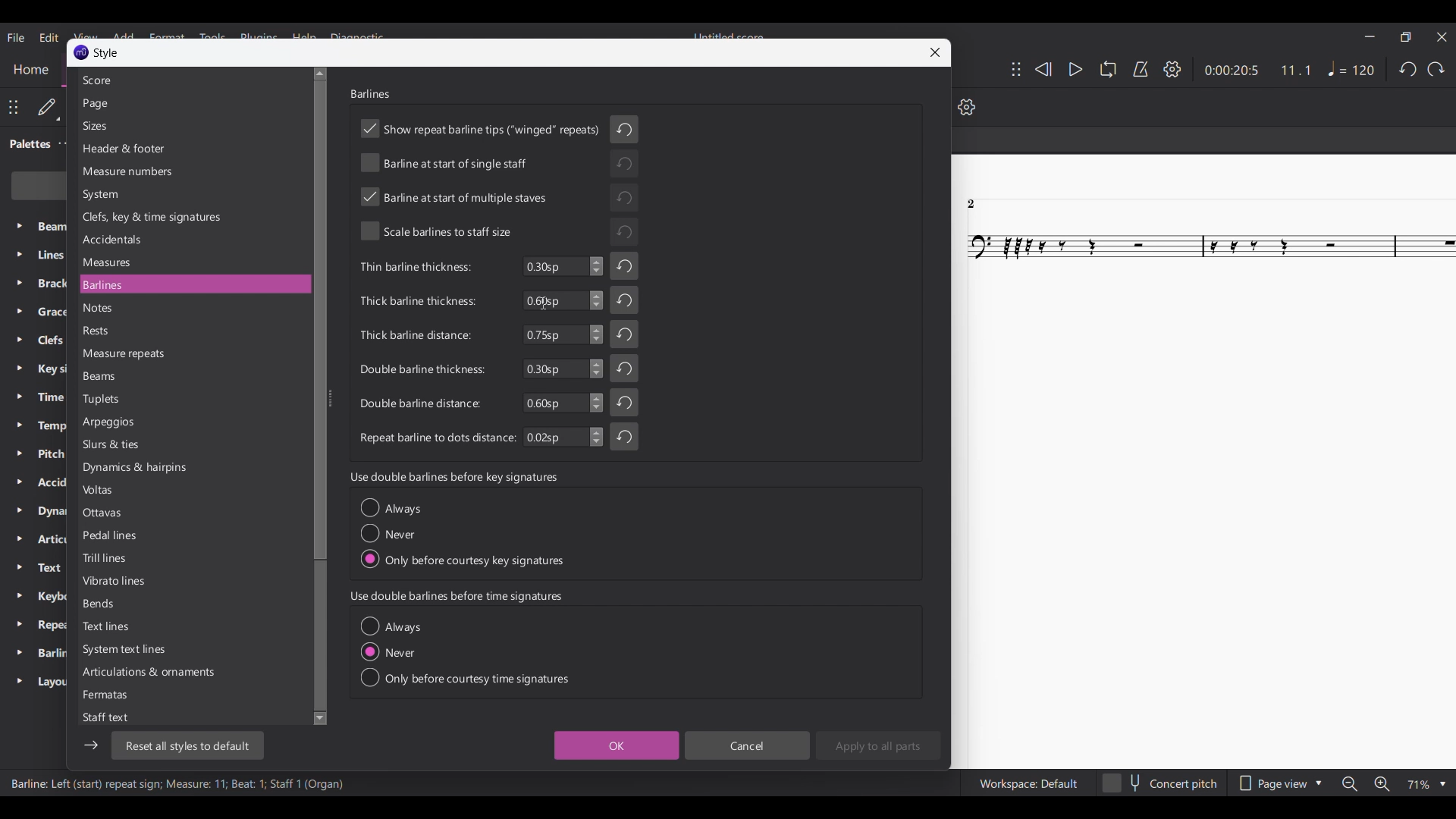 This screenshot has width=1456, height=819. I want to click on Settings, so click(1173, 69).